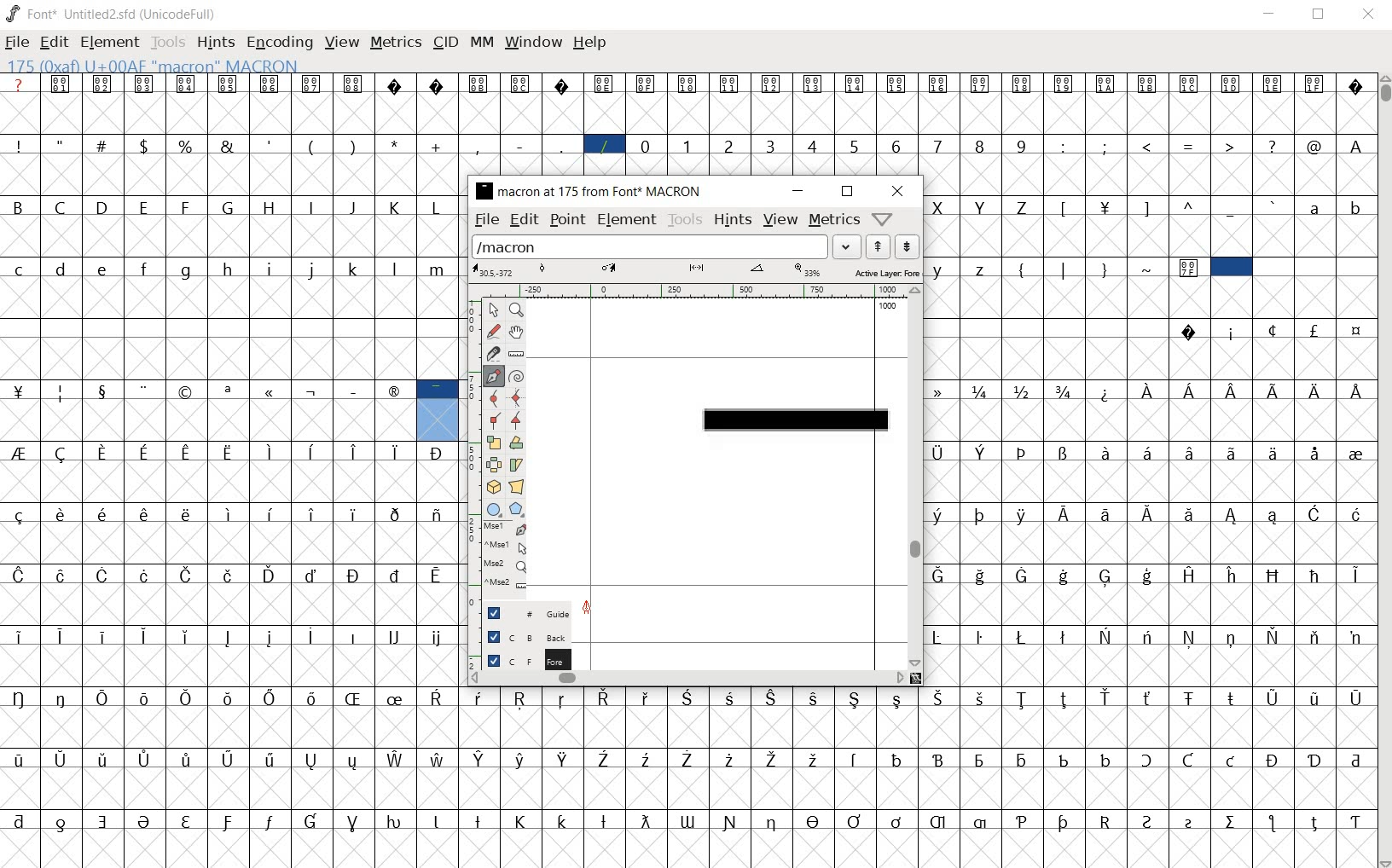  What do you see at coordinates (983, 84) in the screenshot?
I see `Symbol` at bounding box center [983, 84].